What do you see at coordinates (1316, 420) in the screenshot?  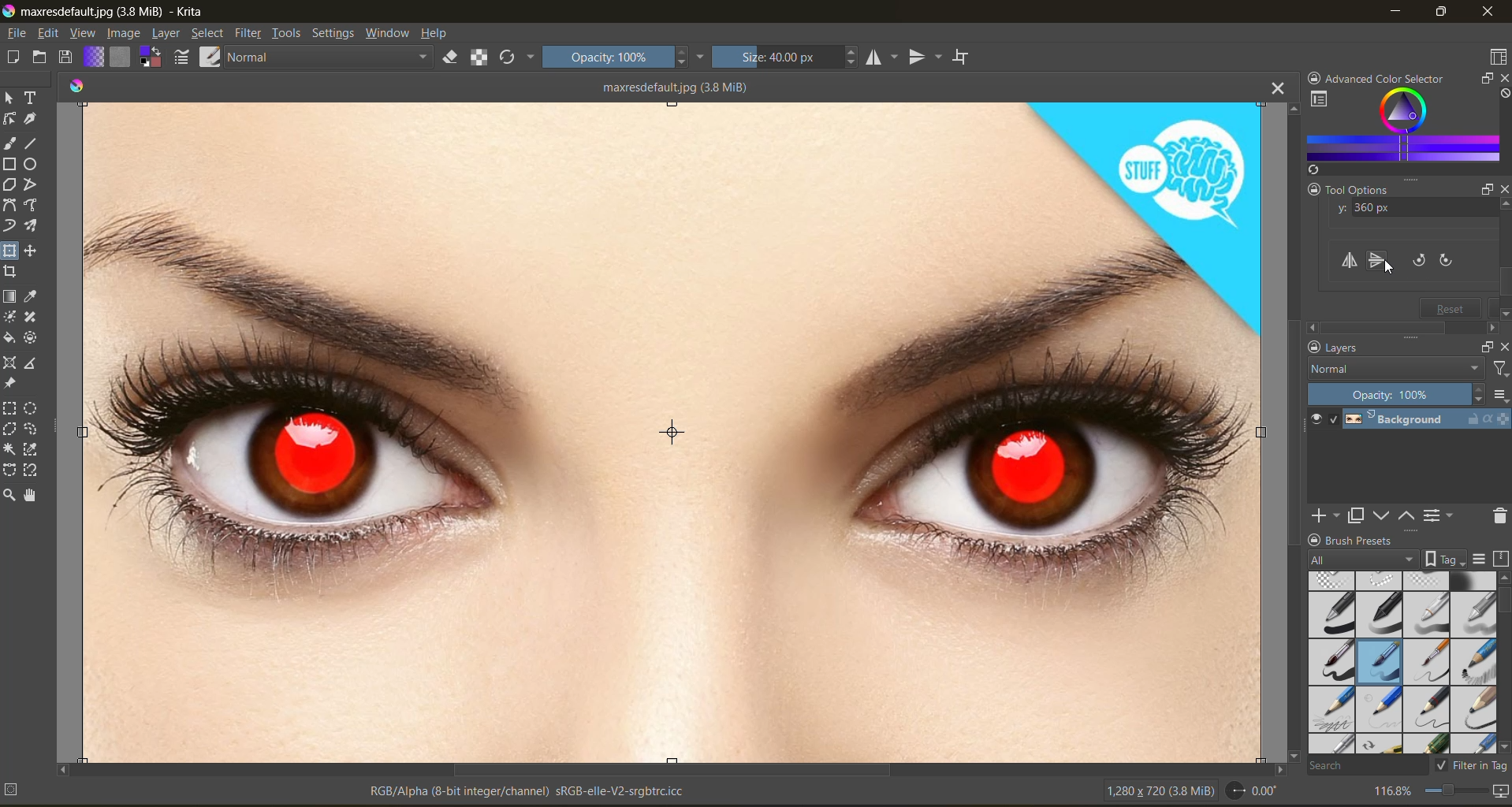 I see `preview` at bounding box center [1316, 420].